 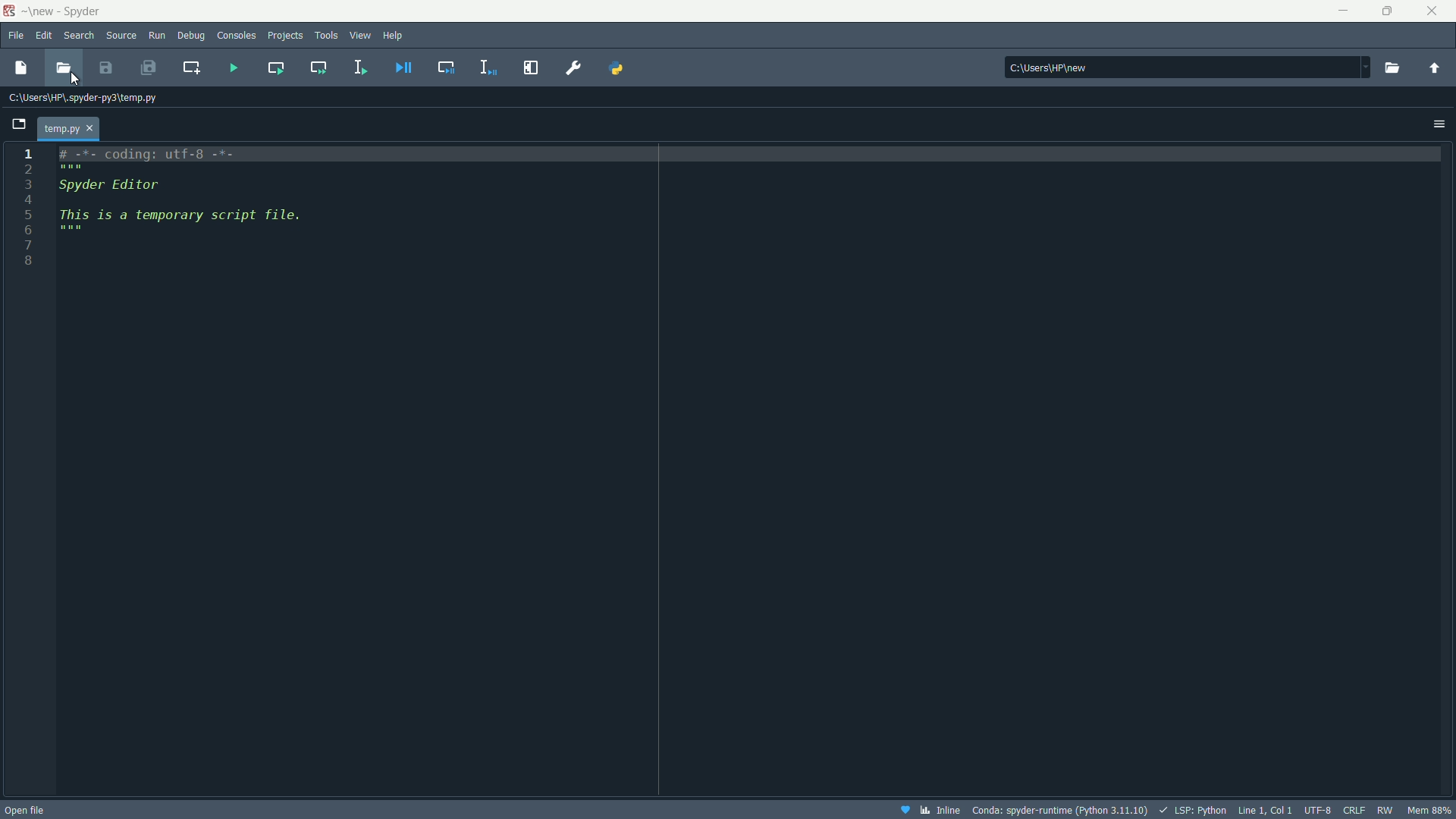 I want to click on Edit menu, so click(x=45, y=36).